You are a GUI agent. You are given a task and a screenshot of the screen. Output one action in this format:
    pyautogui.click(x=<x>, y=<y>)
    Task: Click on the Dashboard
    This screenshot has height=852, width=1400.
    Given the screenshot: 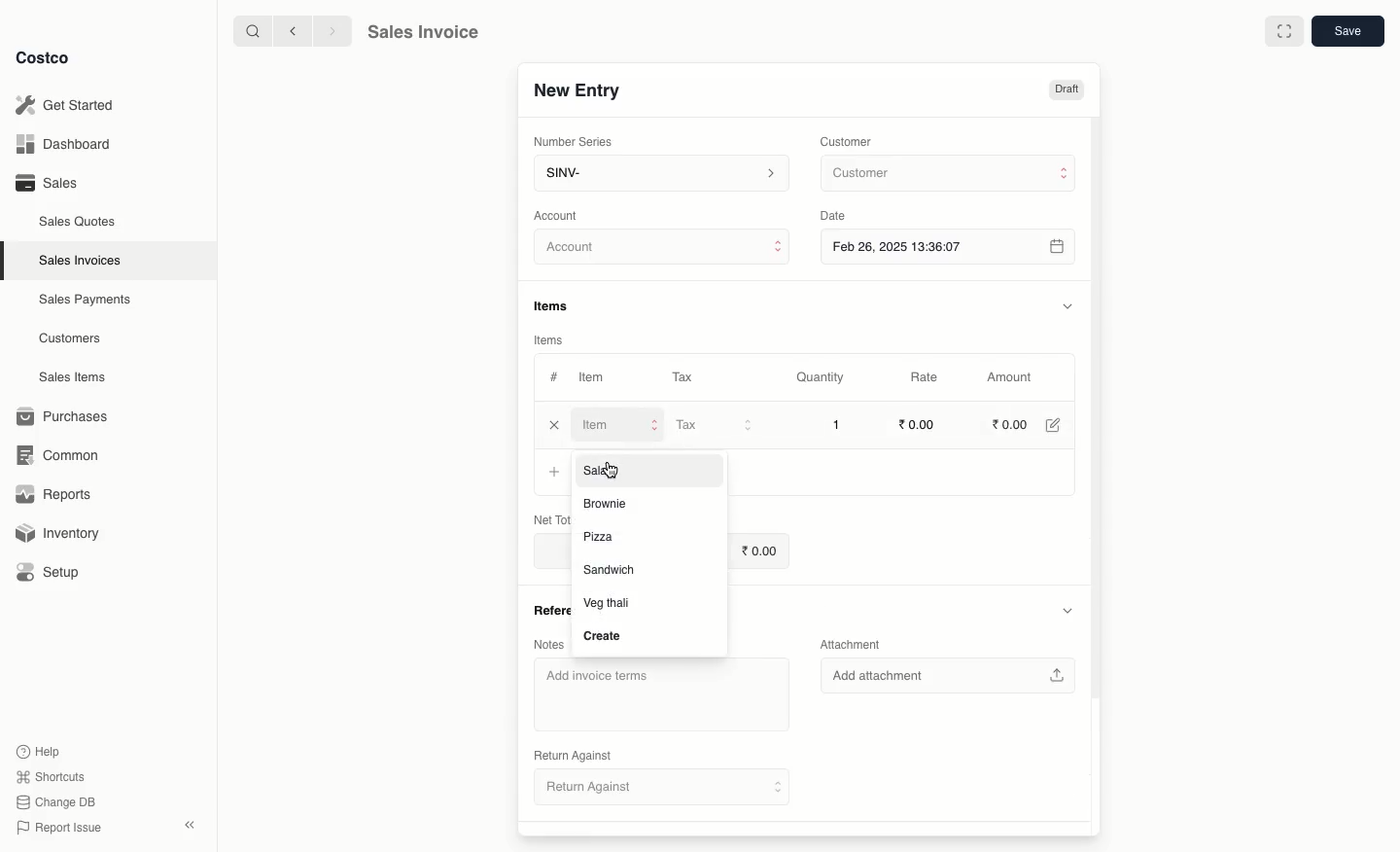 What is the action you would take?
    pyautogui.click(x=60, y=145)
    